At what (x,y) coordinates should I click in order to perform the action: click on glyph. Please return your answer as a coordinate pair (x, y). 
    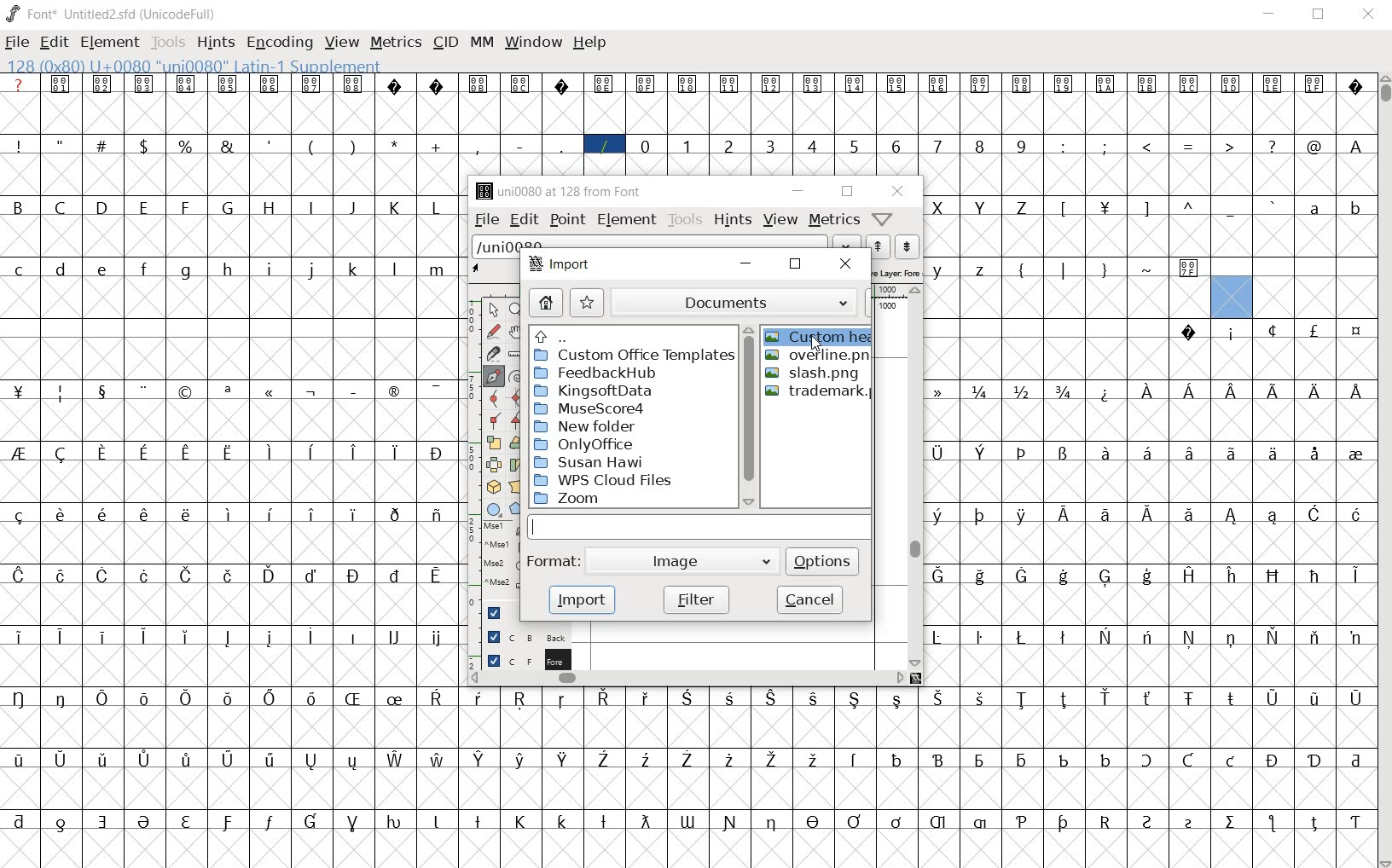
    Looking at the image, I should click on (17, 206).